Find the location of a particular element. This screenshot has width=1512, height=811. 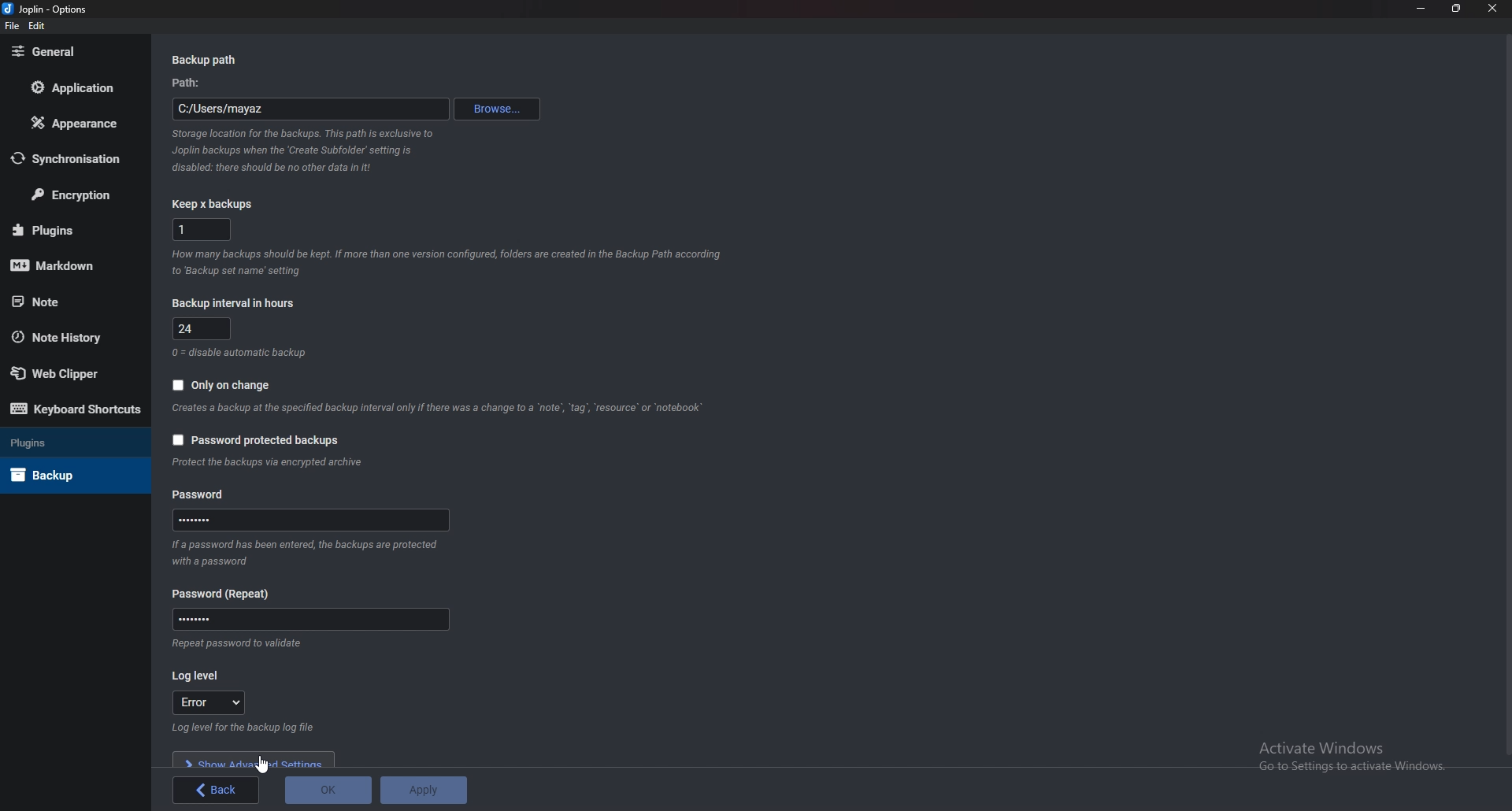

Backup interval in hours is located at coordinates (237, 302).